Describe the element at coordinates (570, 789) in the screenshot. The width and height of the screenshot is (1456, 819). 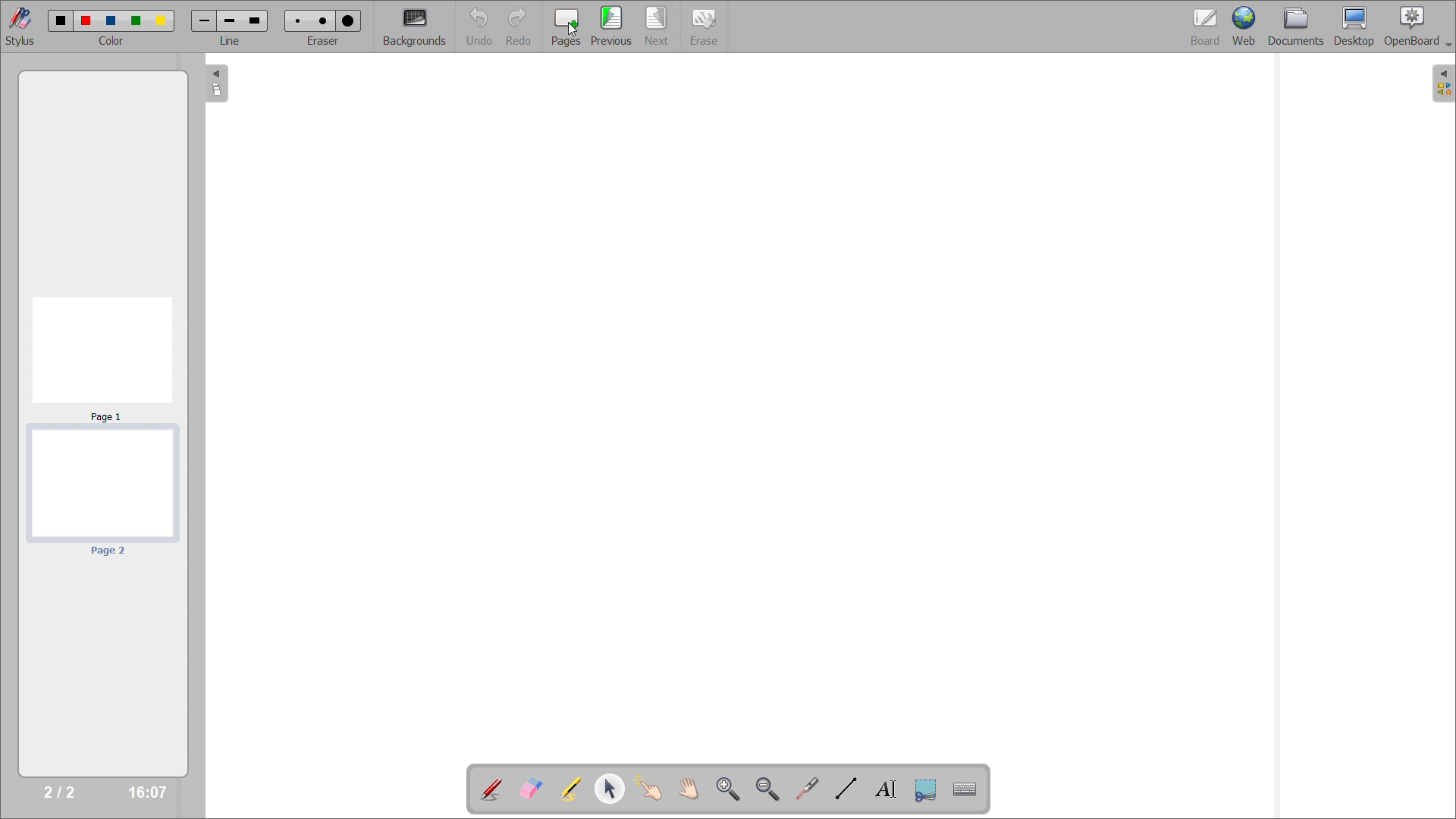
I see `highlight` at that location.